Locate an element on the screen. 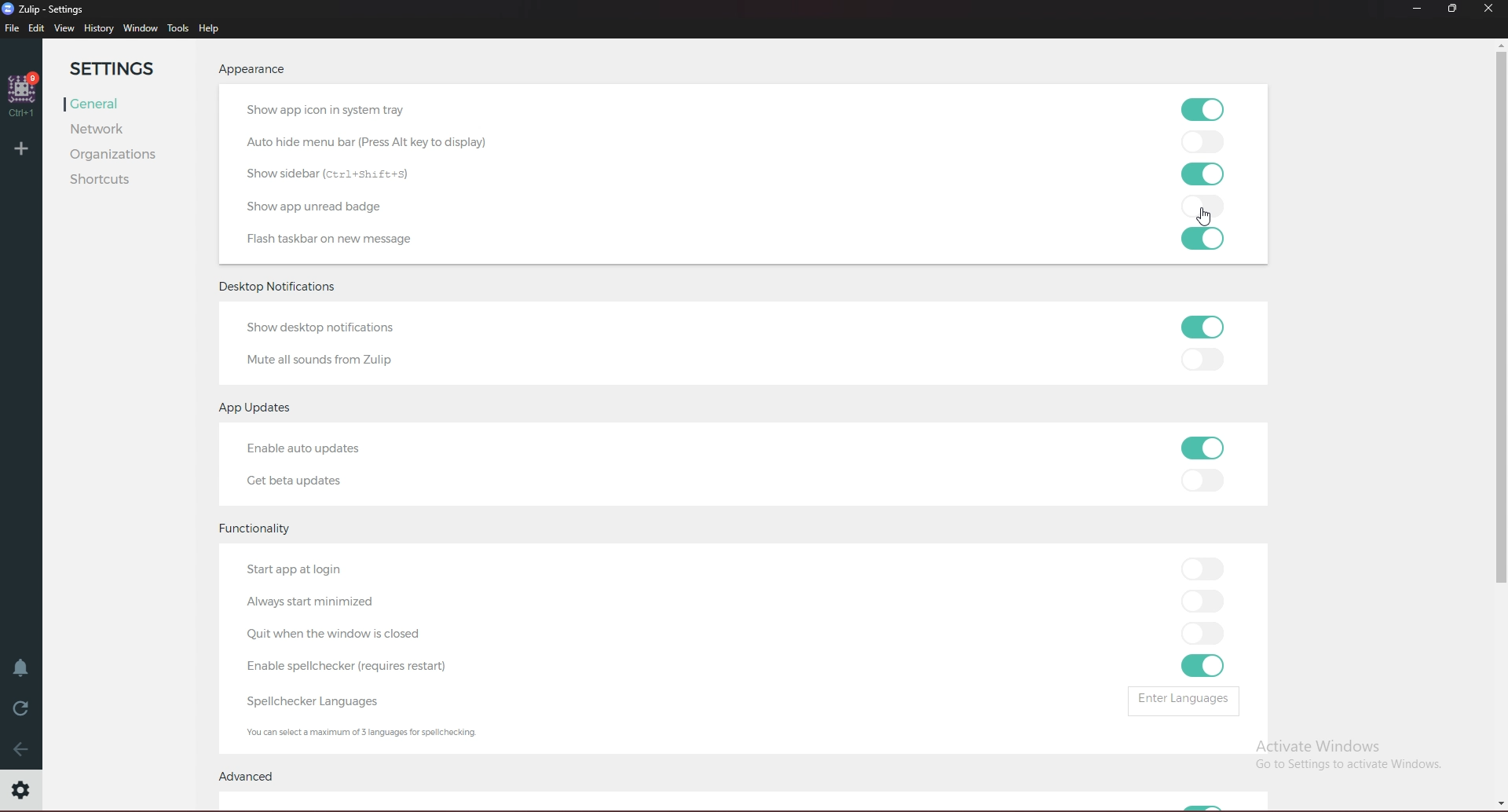  toggle is located at coordinates (1203, 599).